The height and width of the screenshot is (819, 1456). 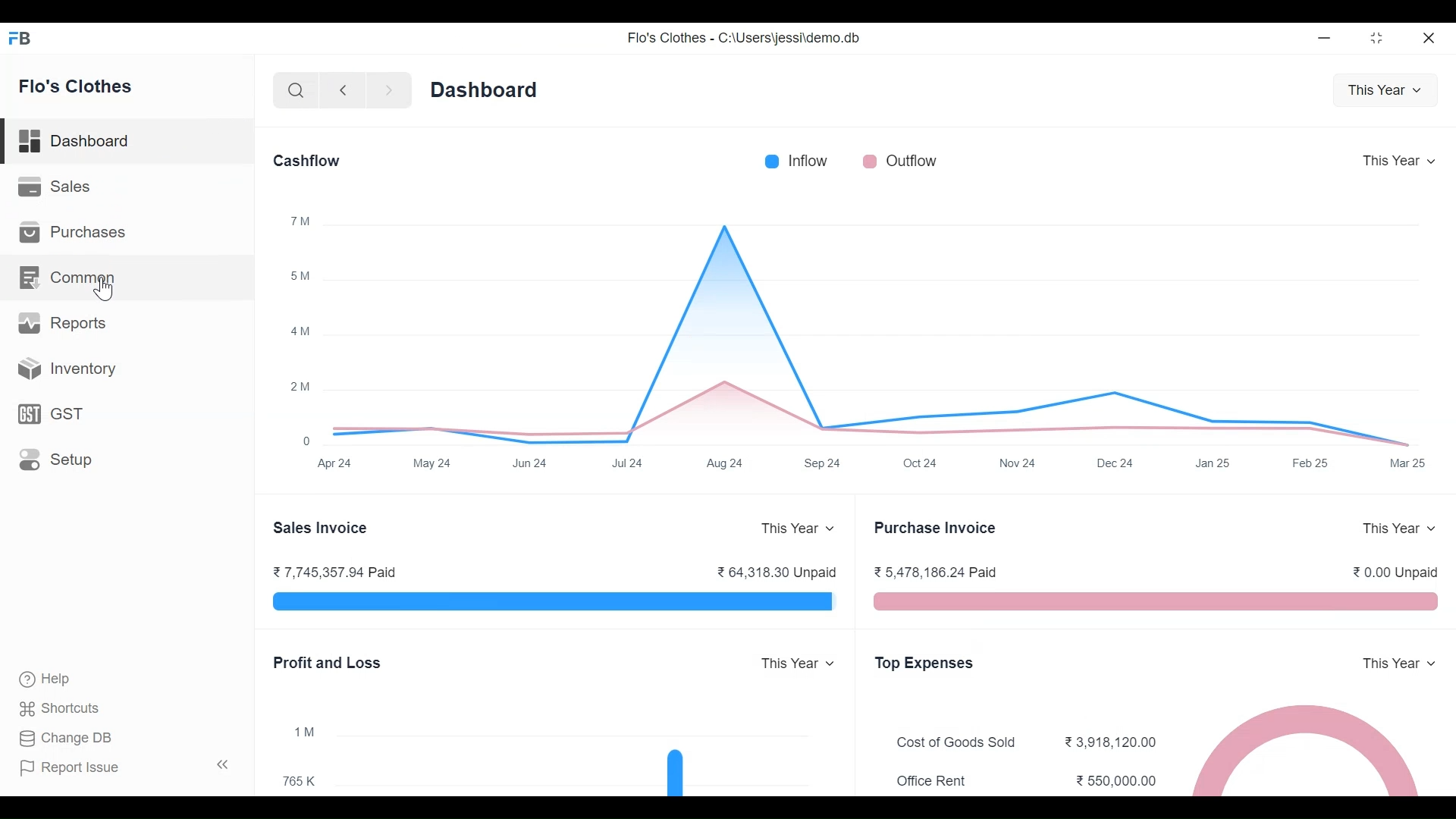 I want to click on 2M, so click(x=300, y=386).